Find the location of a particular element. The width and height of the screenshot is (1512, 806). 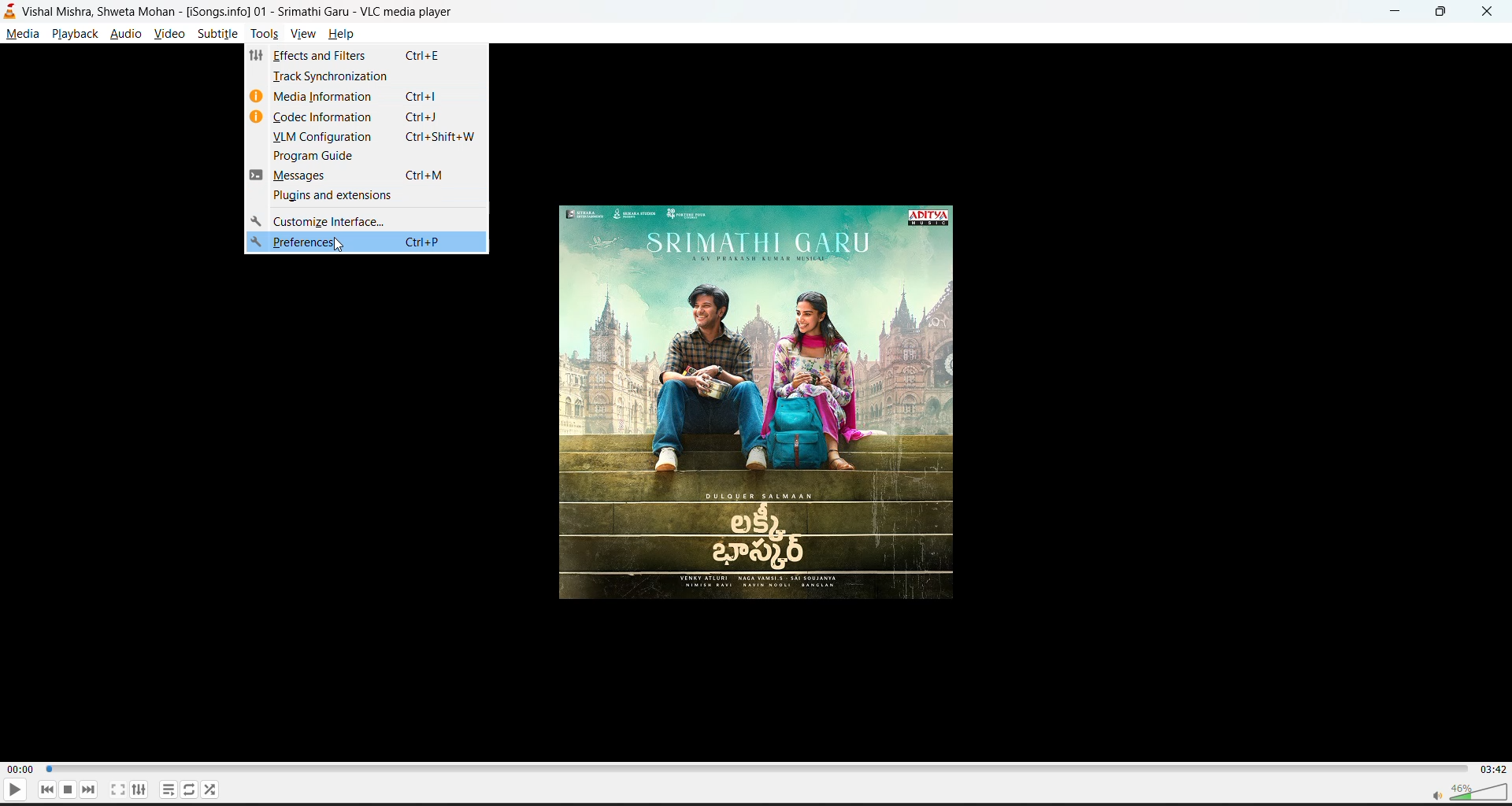

stop is located at coordinates (65, 788).